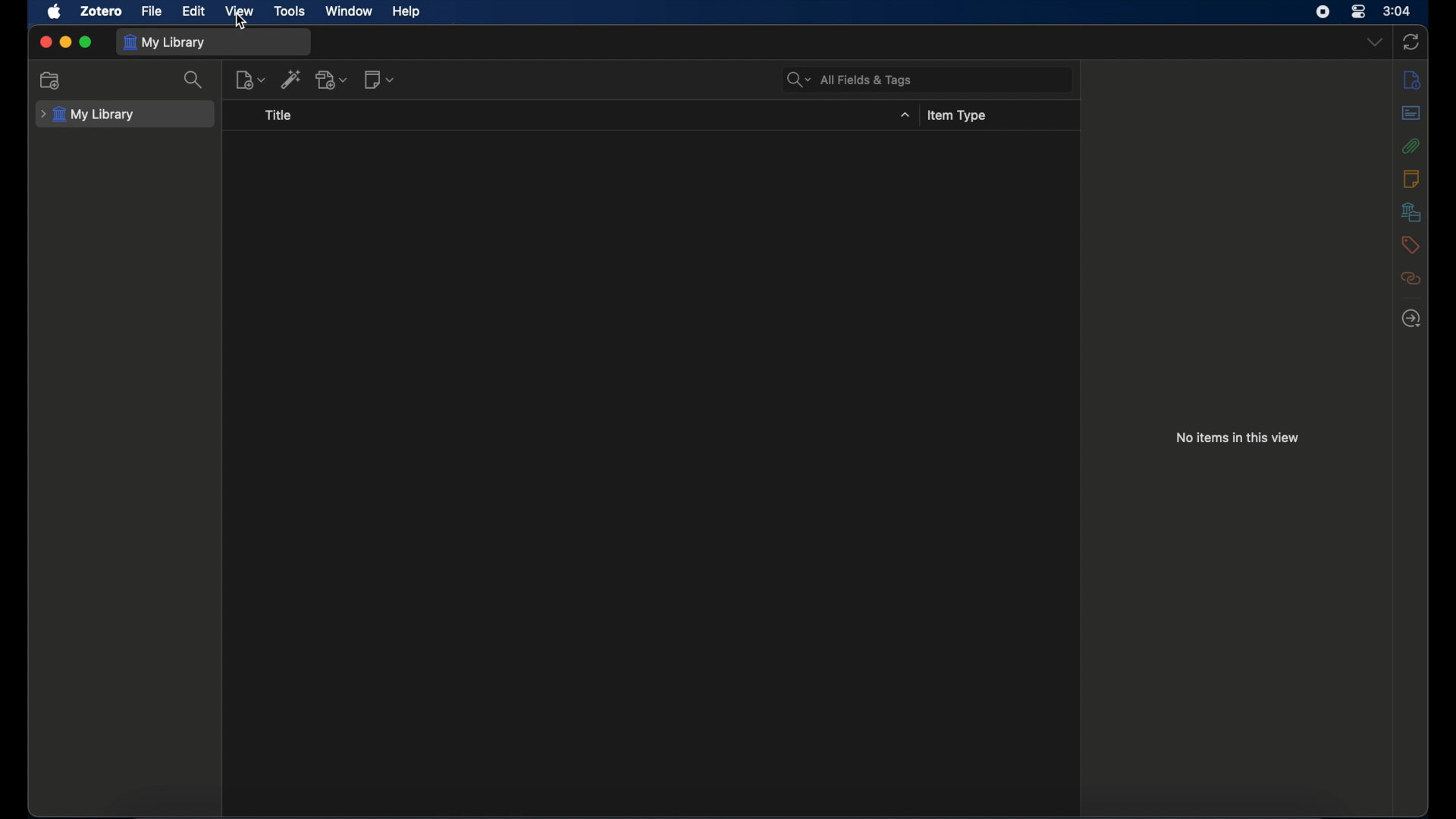 This screenshot has width=1456, height=819. Describe the element at coordinates (1412, 318) in the screenshot. I see `locate` at that location.